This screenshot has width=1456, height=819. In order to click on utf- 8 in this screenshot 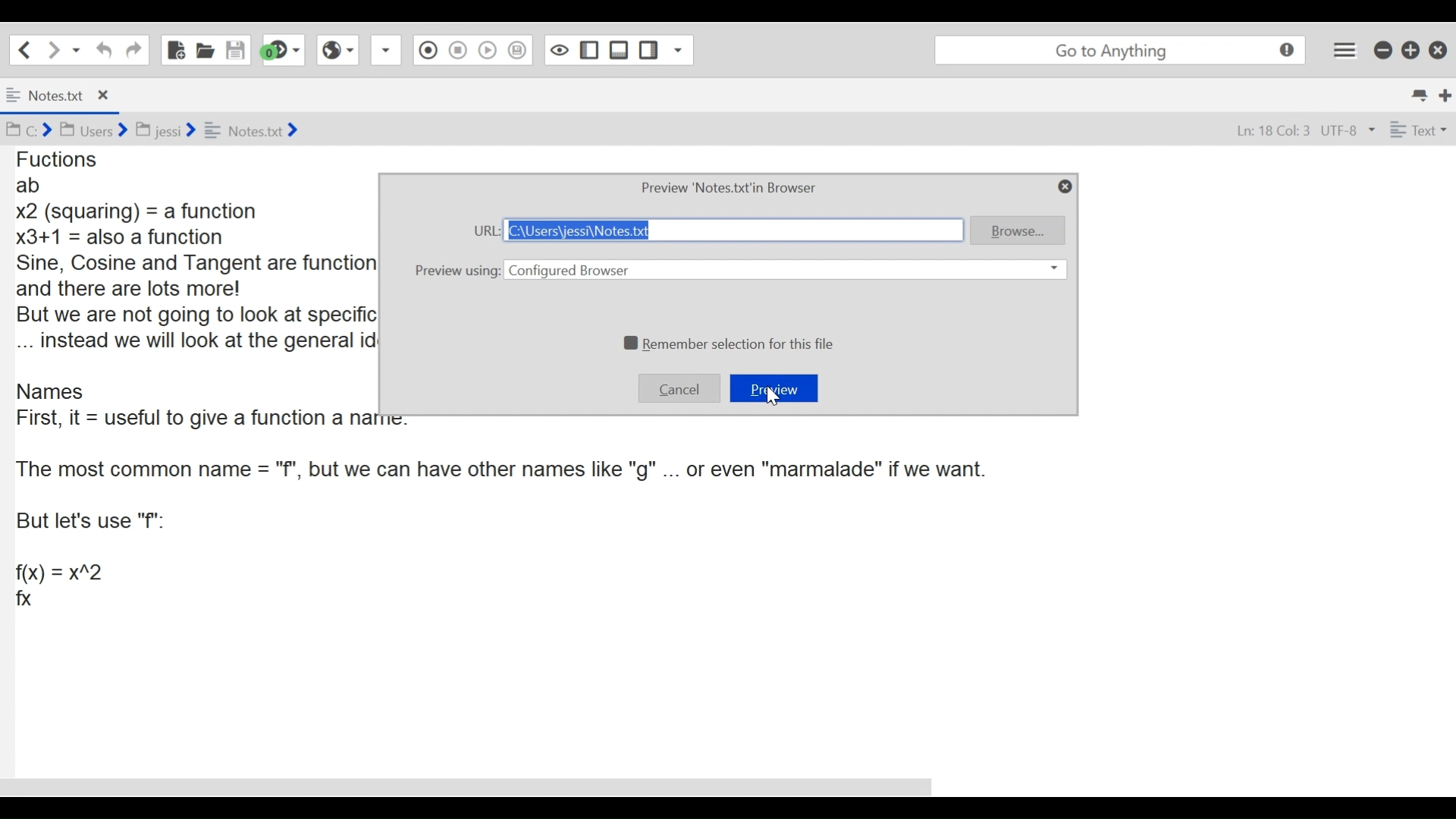, I will do `click(1348, 130)`.